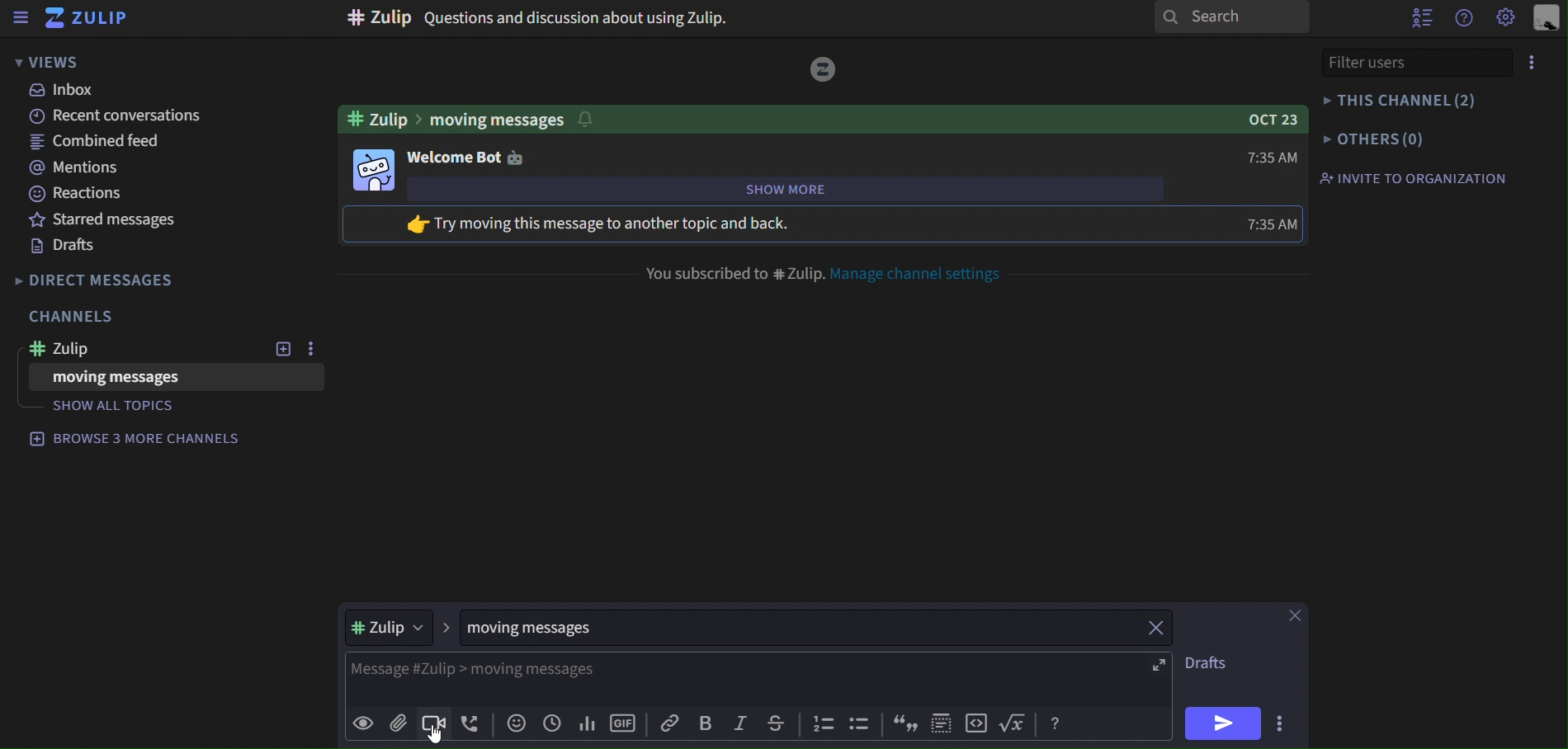 This screenshot has height=749, width=1568. Describe the element at coordinates (1507, 18) in the screenshot. I see `main menu` at that location.